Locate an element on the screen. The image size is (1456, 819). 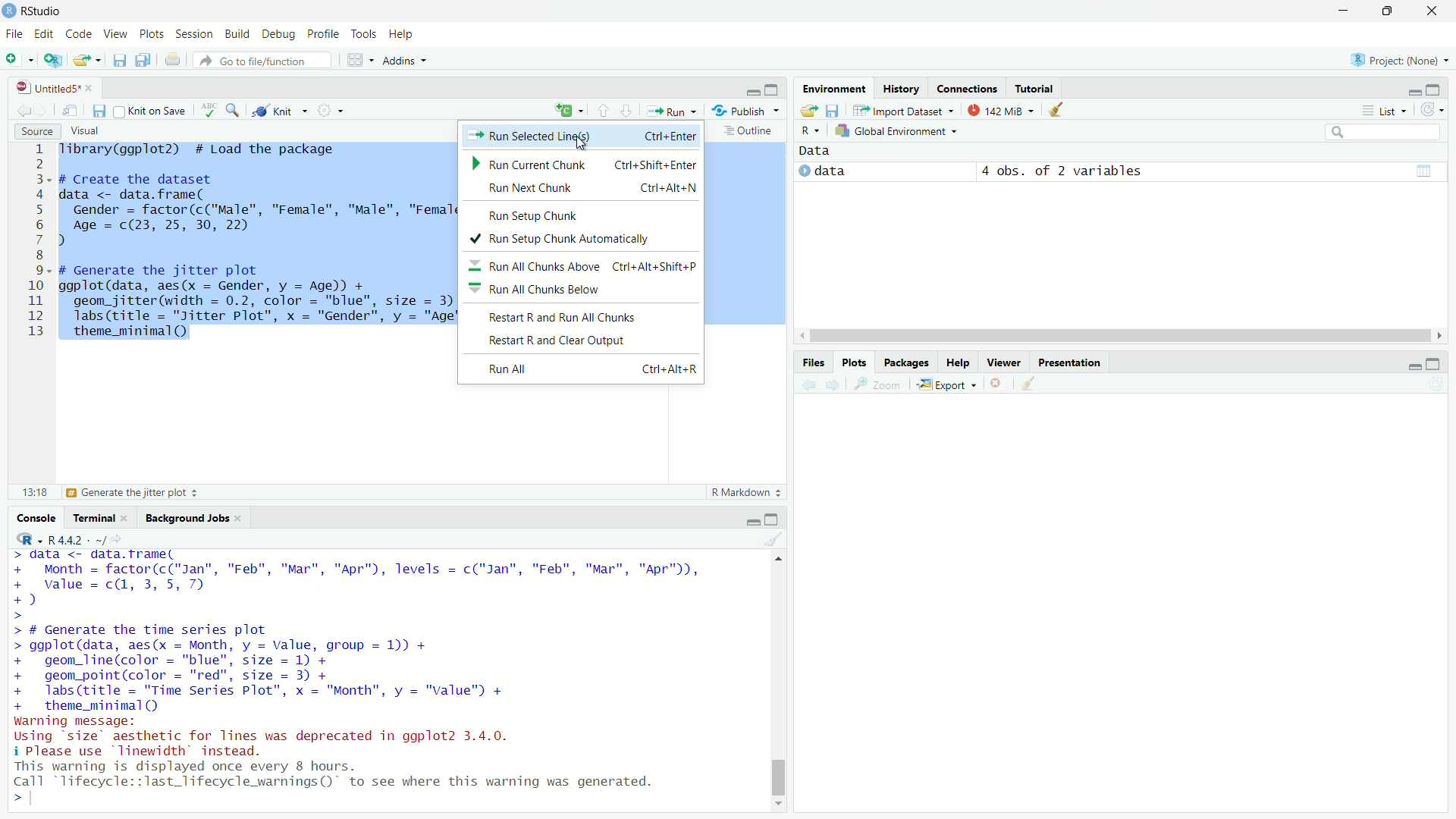
Restart R and Run All Chunks is located at coordinates (579, 317).